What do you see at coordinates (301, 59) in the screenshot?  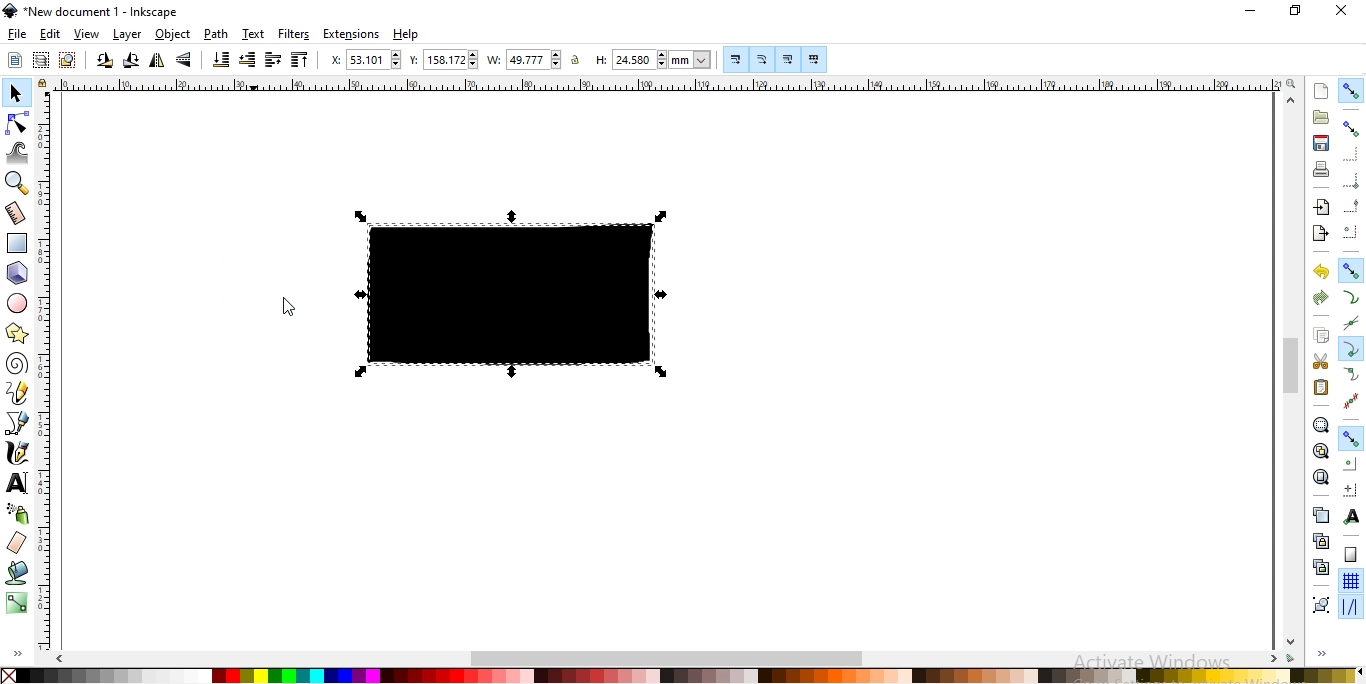 I see `raise selection to top` at bounding box center [301, 59].